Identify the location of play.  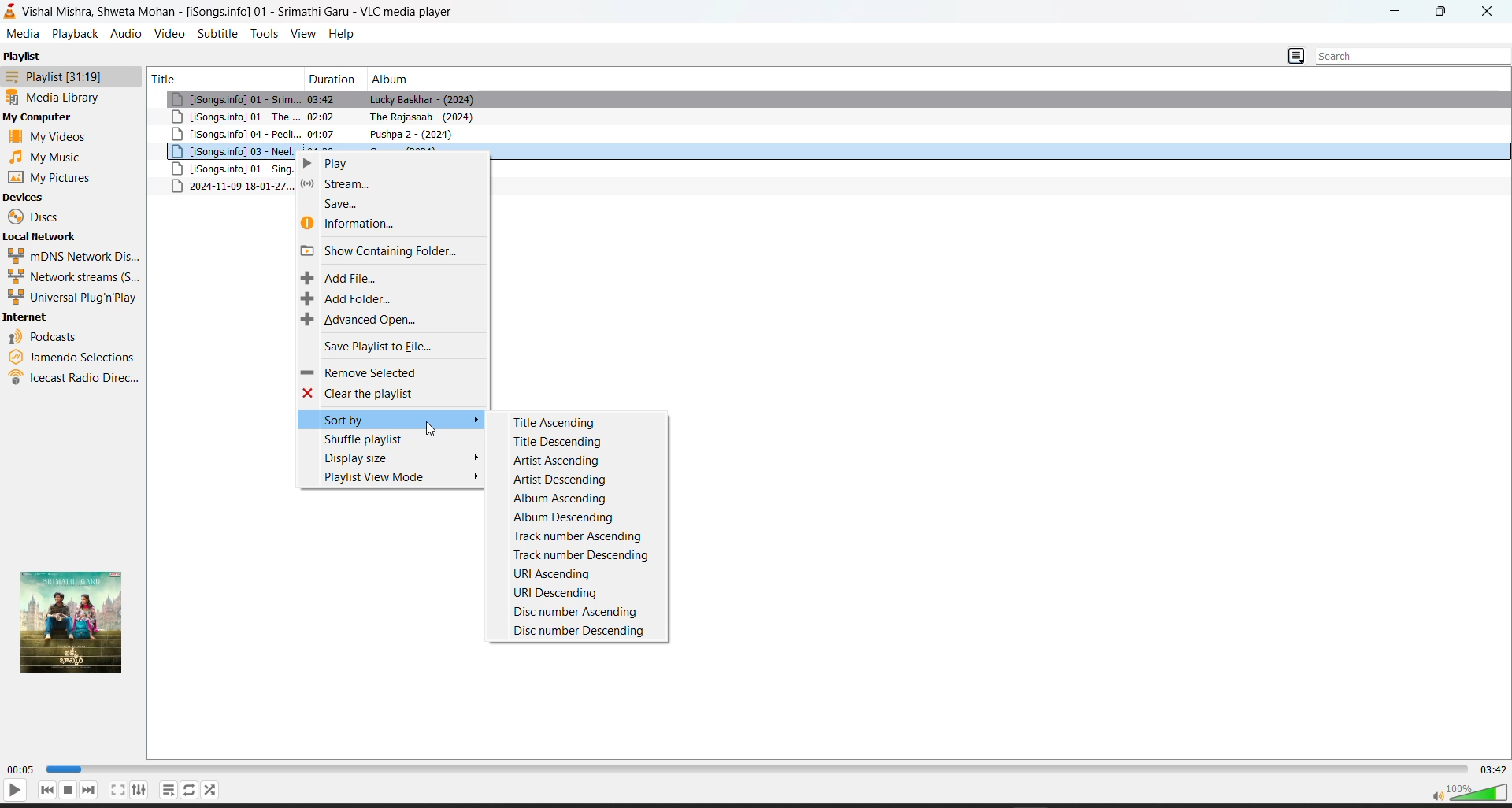
(15, 790).